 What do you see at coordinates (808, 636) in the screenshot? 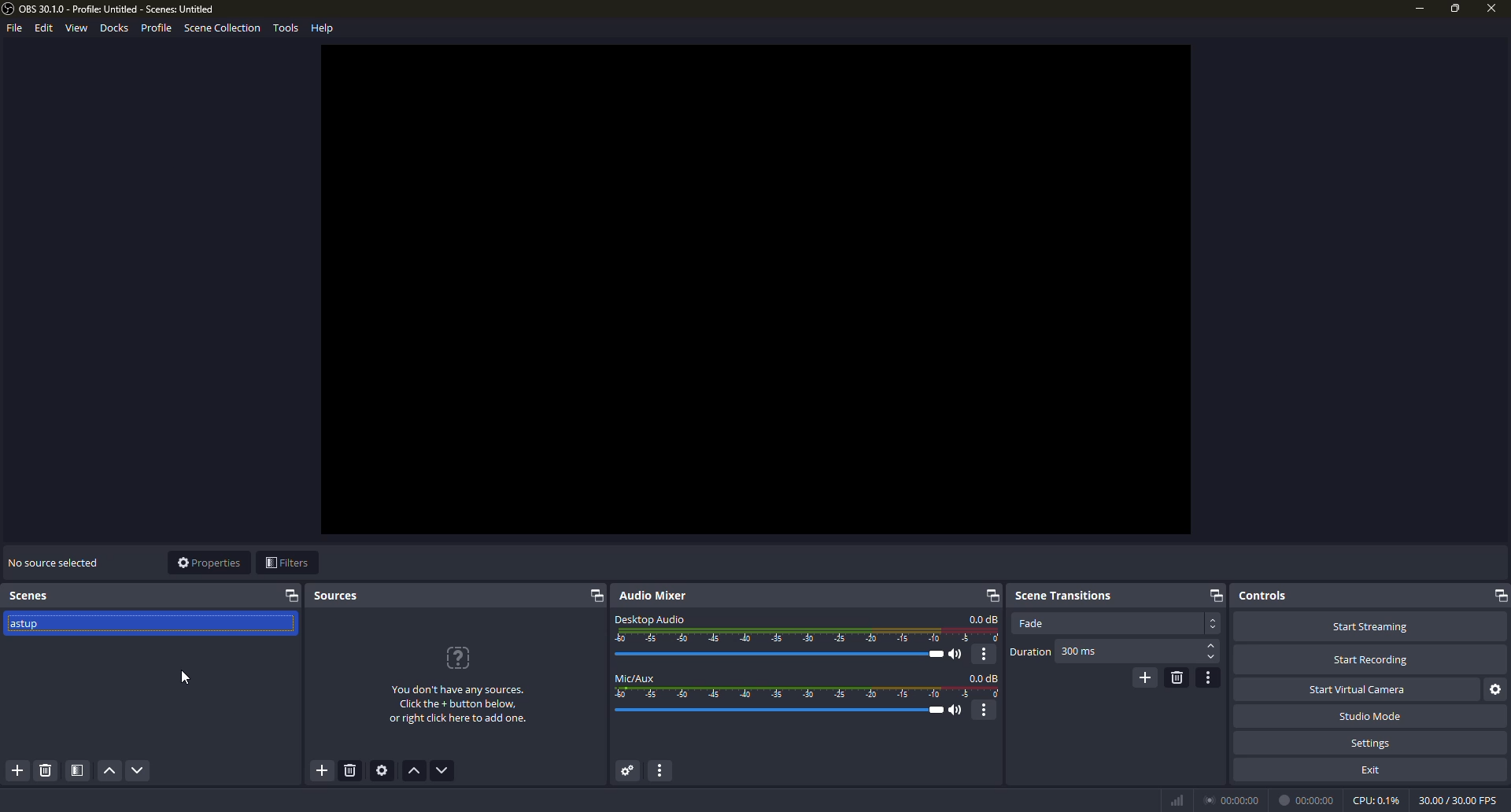
I see `audio range` at bounding box center [808, 636].